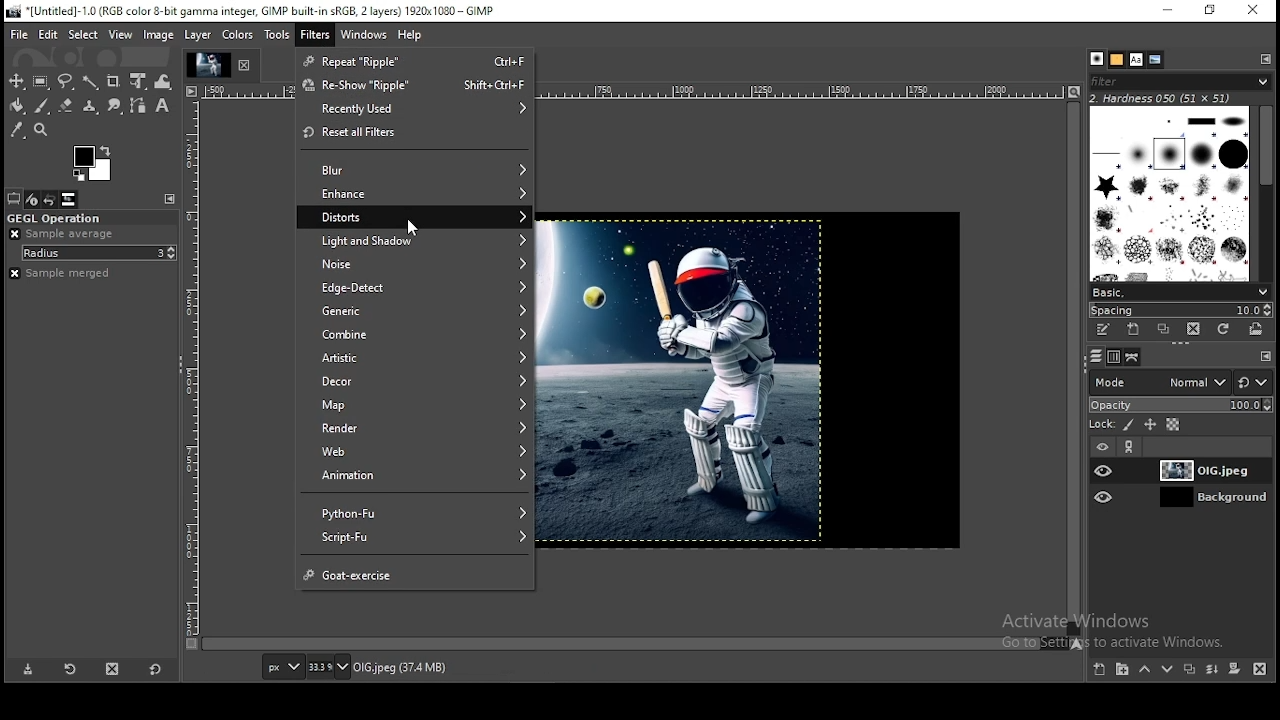  What do you see at coordinates (679, 382) in the screenshot?
I see `image` at bounding box center [679, 382].